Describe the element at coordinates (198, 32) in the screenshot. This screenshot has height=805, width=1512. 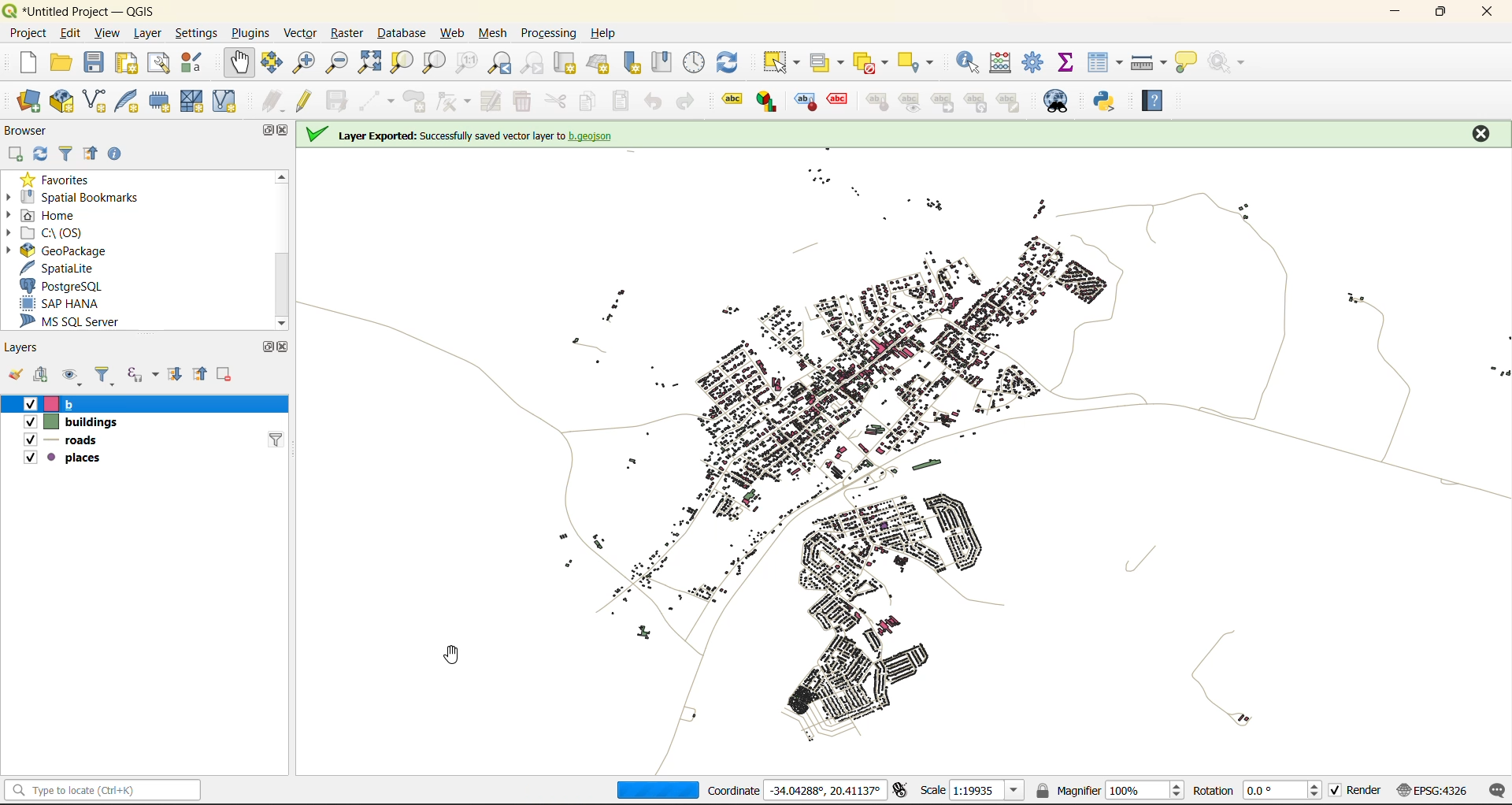
I see `settings` at that location.